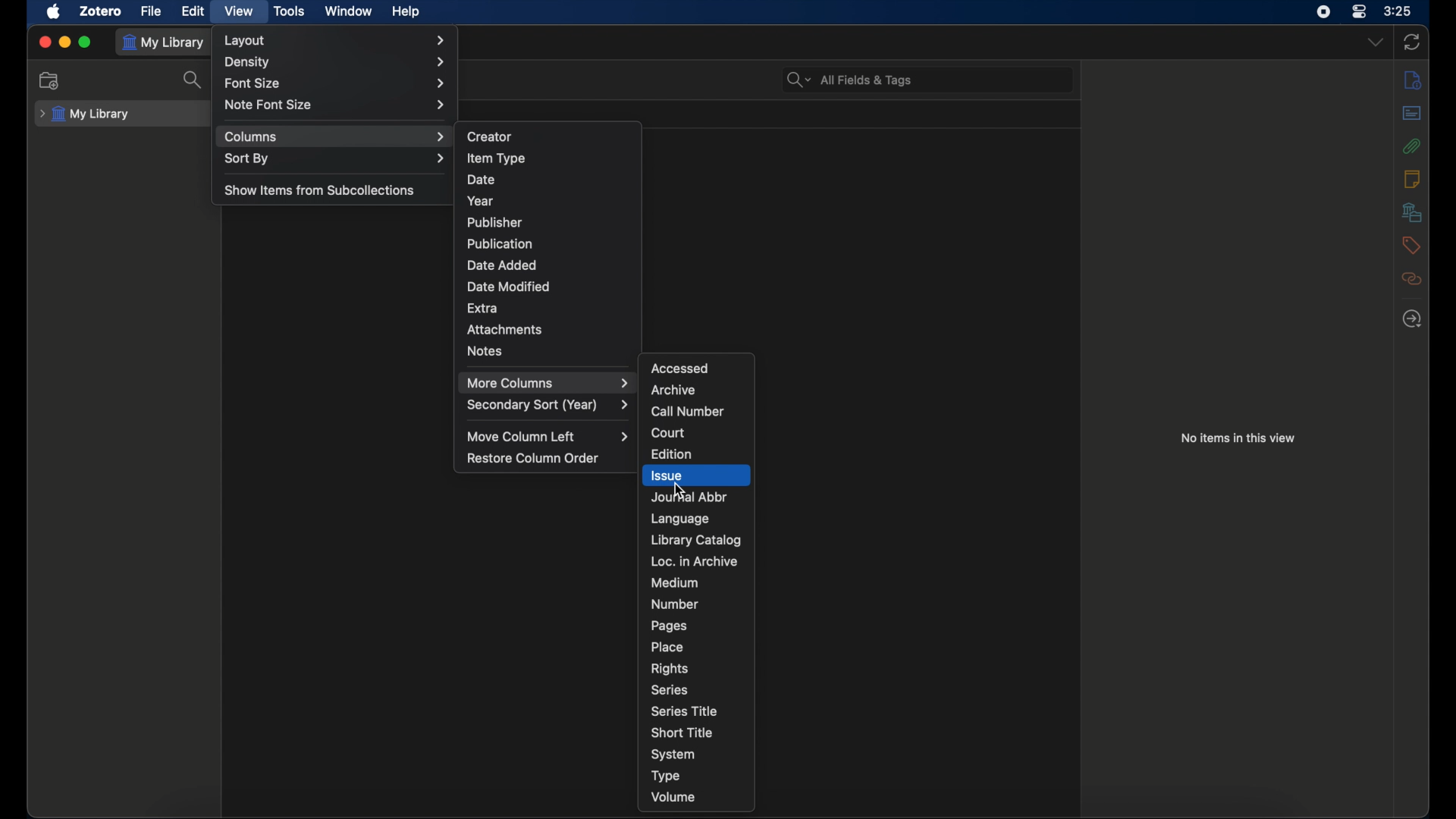  I want to click on screen recorder, so click(1323, 12).